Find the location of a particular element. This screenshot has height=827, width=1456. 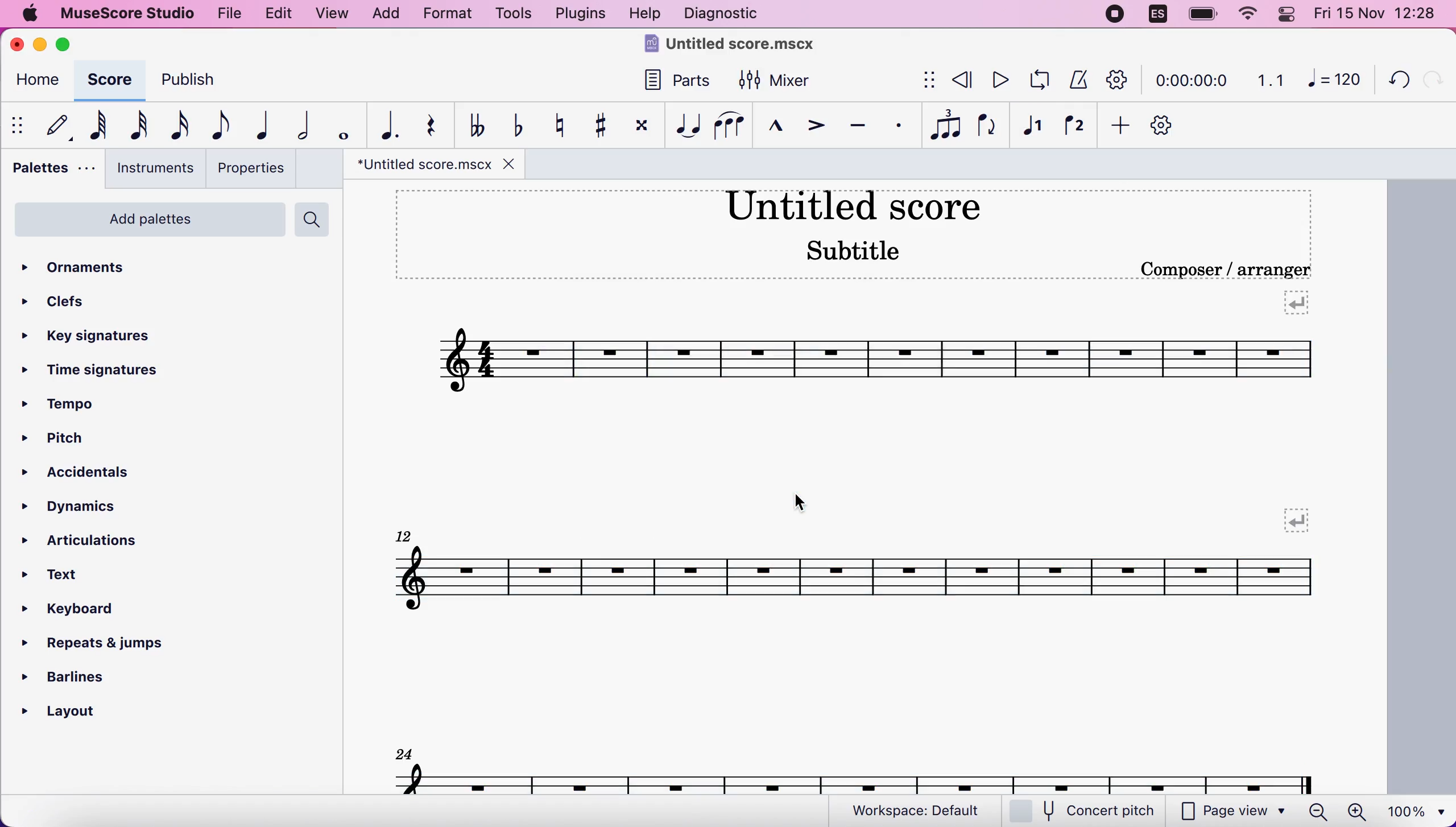

playback settings is located at coordinates (1118, 79).